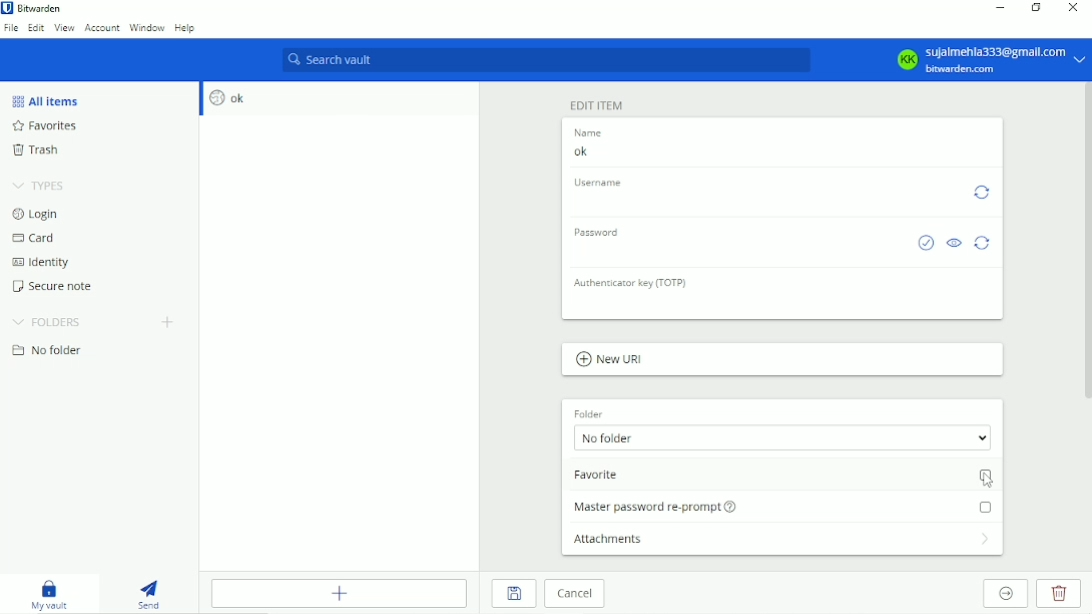 The image size is (1092, 614). Describe the element at coordinates (36, 29) in the screenshot. I see `Edit` at that location.